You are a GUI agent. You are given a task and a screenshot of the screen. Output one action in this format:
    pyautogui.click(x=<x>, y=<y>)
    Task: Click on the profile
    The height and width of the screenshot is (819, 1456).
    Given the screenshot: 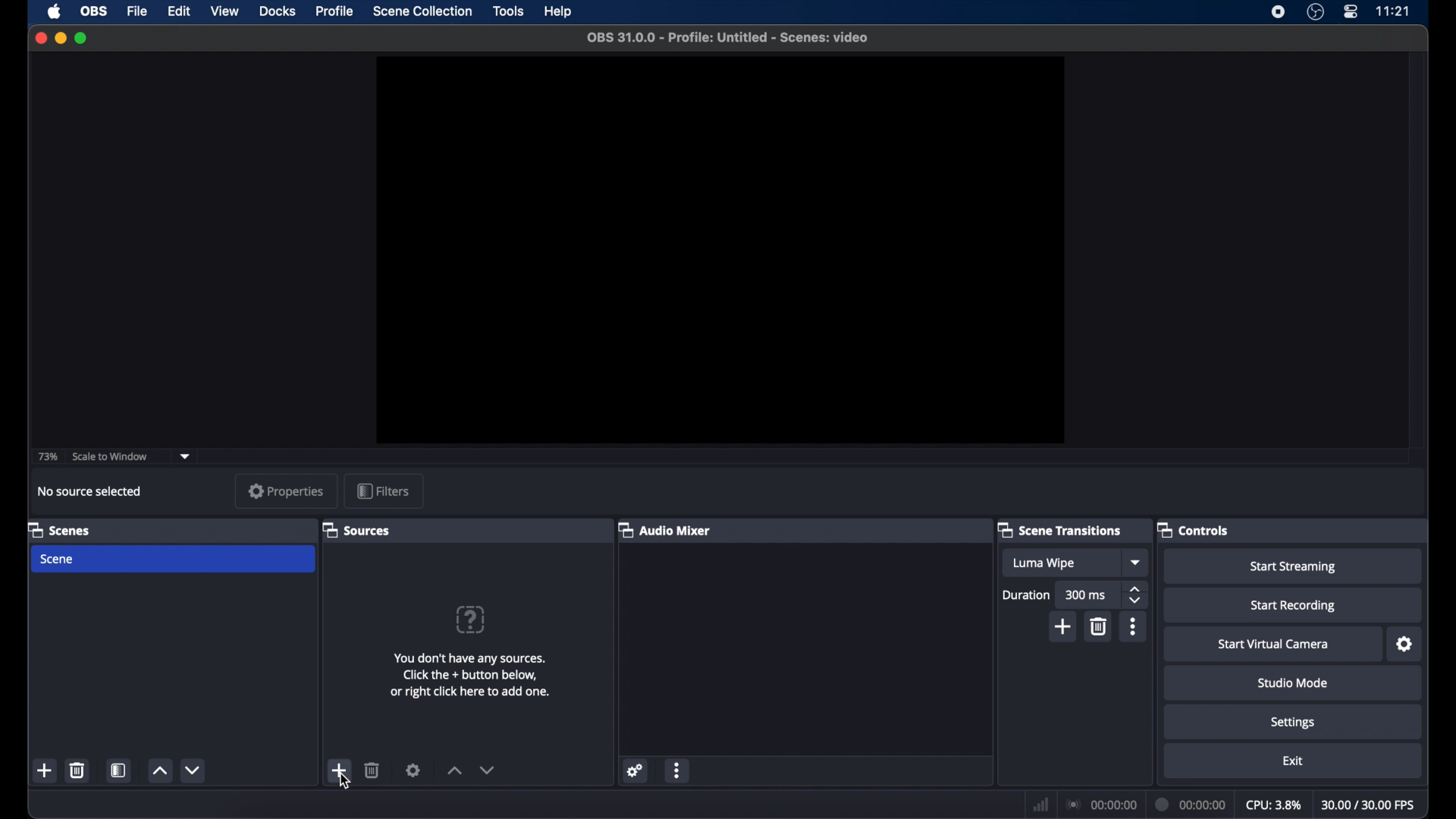 What is the action you would take?
    pyautogui.click(x=335, y=11)
    